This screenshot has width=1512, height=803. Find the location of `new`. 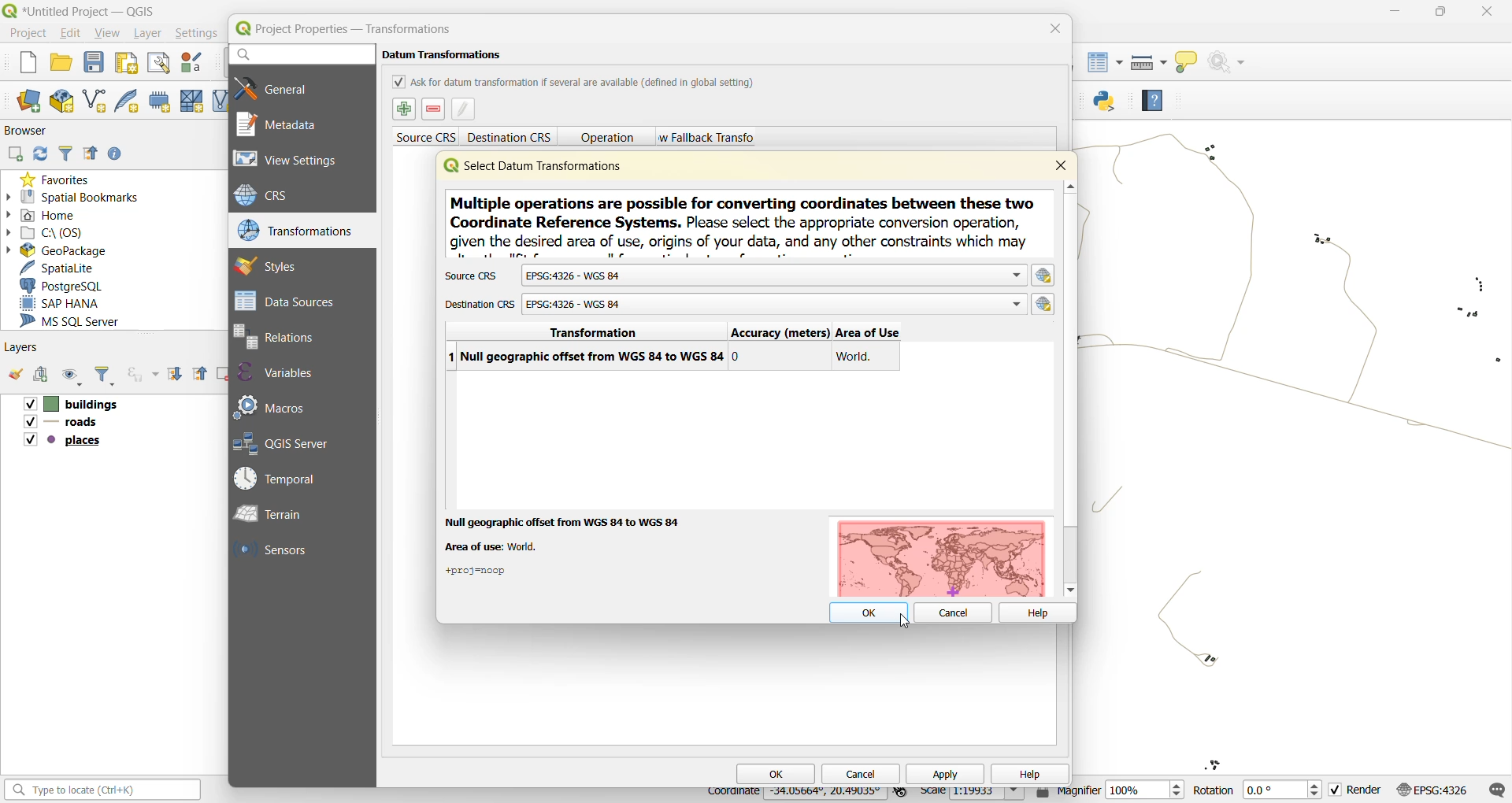

new is located at coordinates (25, 65).